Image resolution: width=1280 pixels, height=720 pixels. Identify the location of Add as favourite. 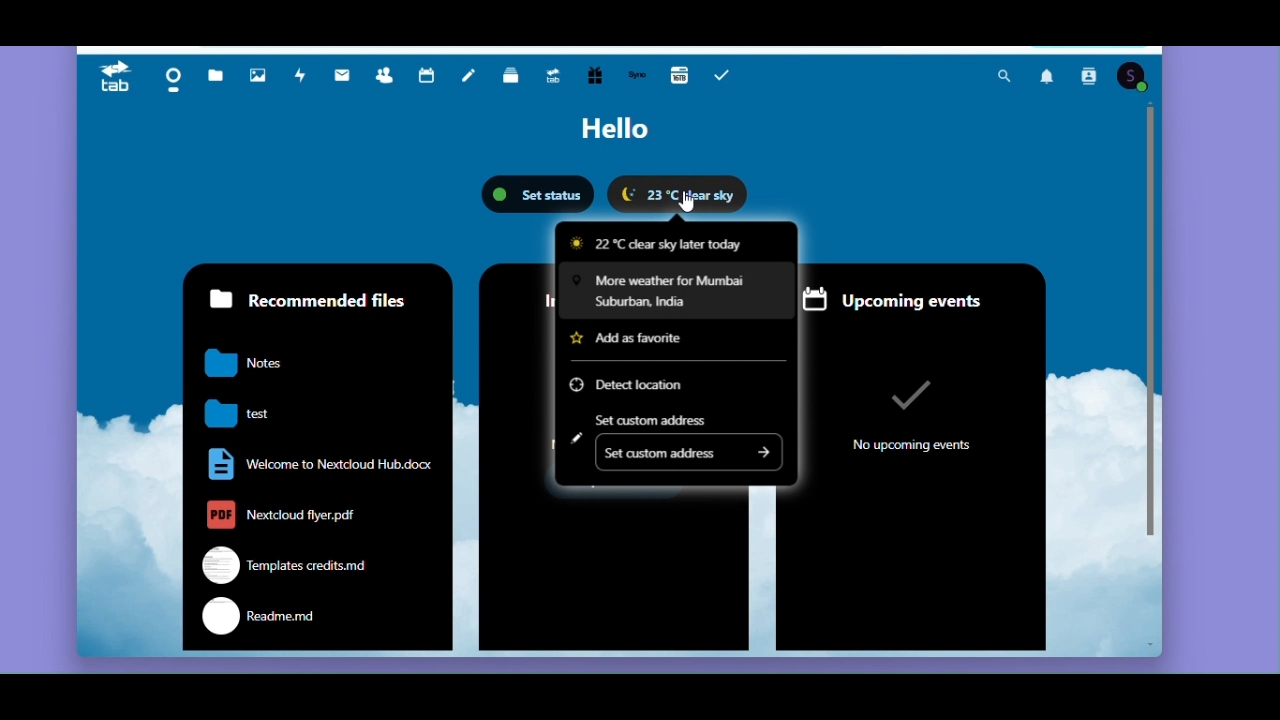
(653, 341).